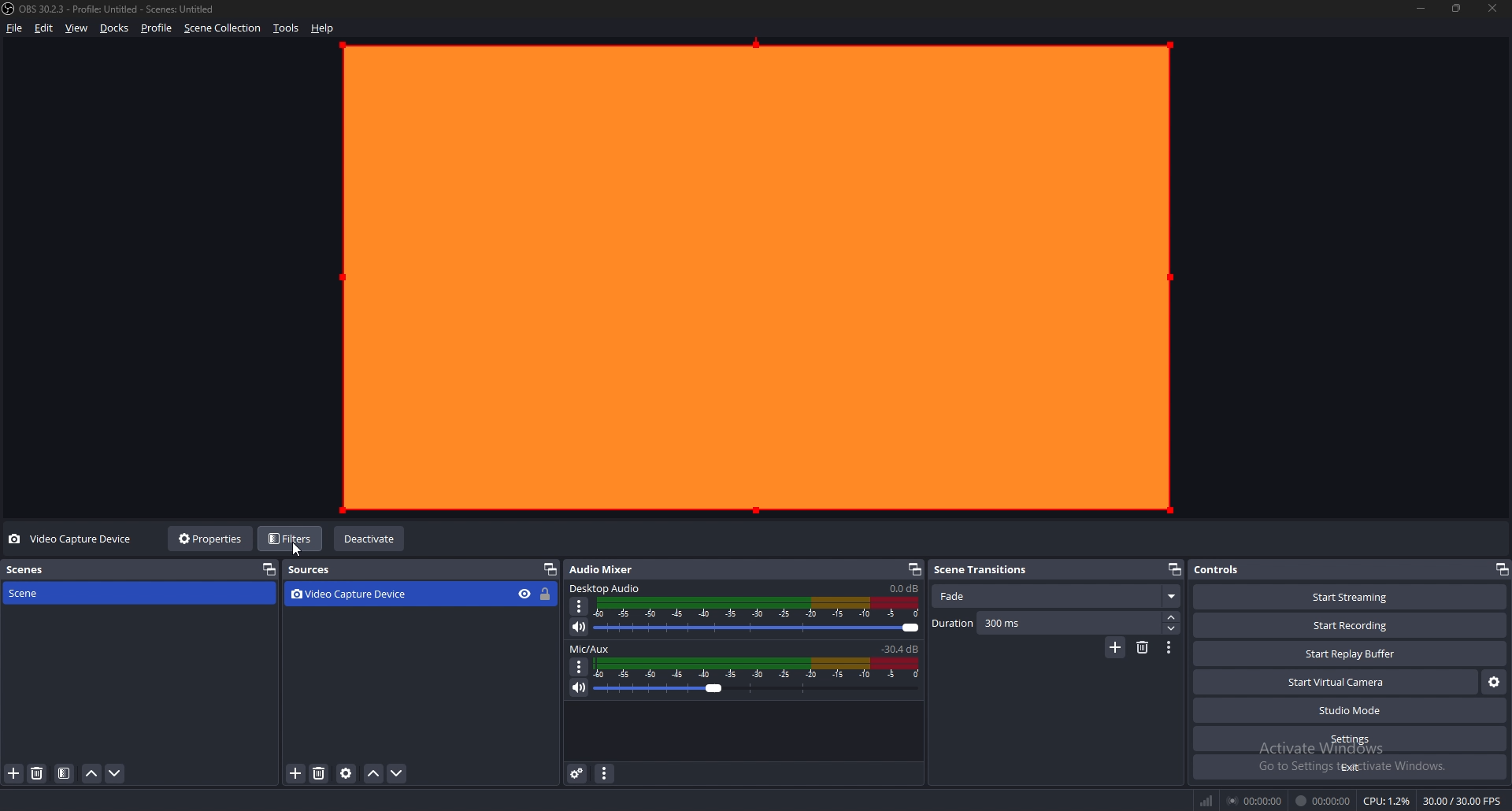 The image size is (1512, 811). Describe the element at coordinates (373, 775) in the screenshot. I see `move source up` at that location.